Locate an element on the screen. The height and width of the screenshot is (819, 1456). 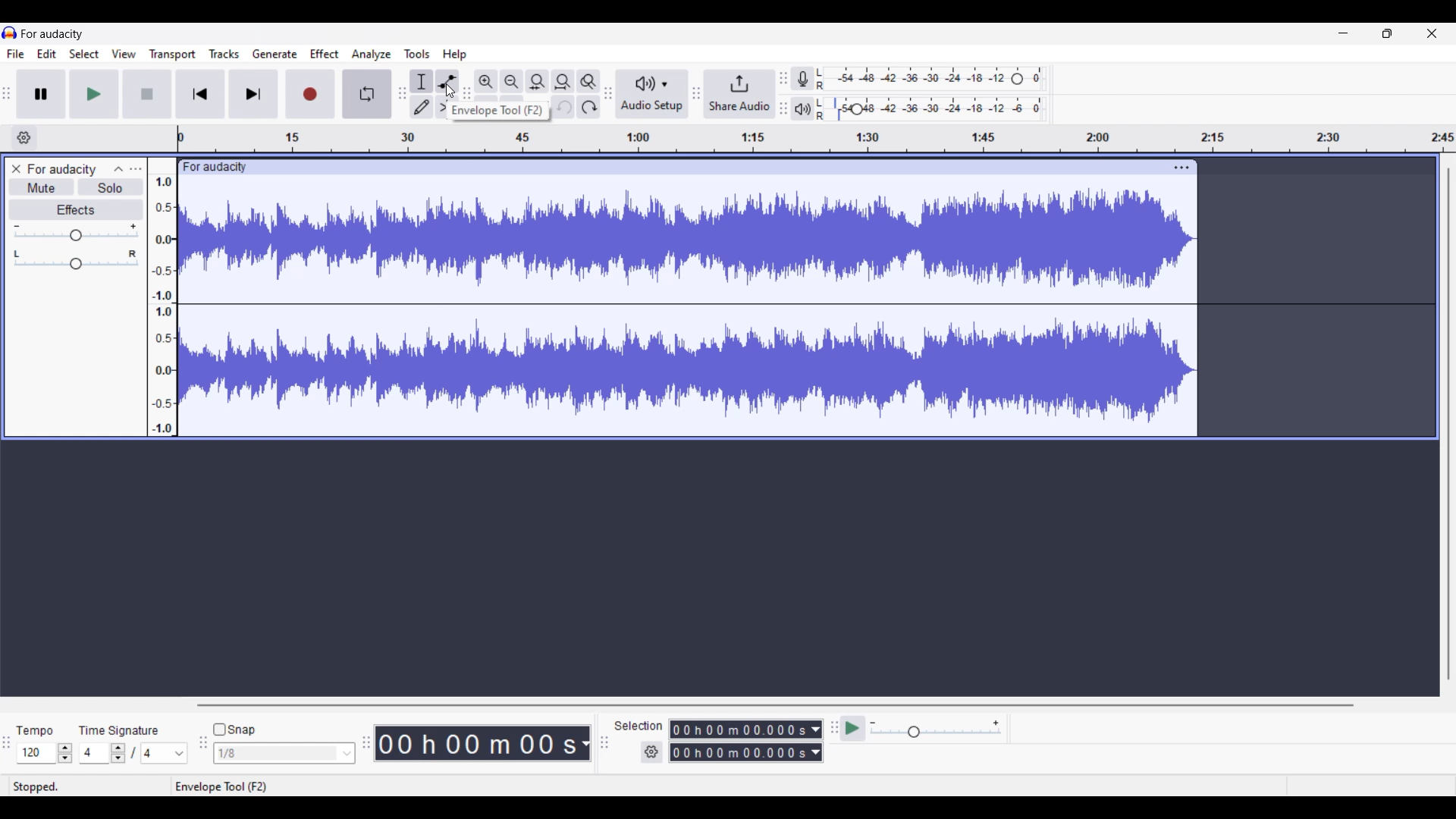
Show in smaller tab is located at coordinates (1388, 33).